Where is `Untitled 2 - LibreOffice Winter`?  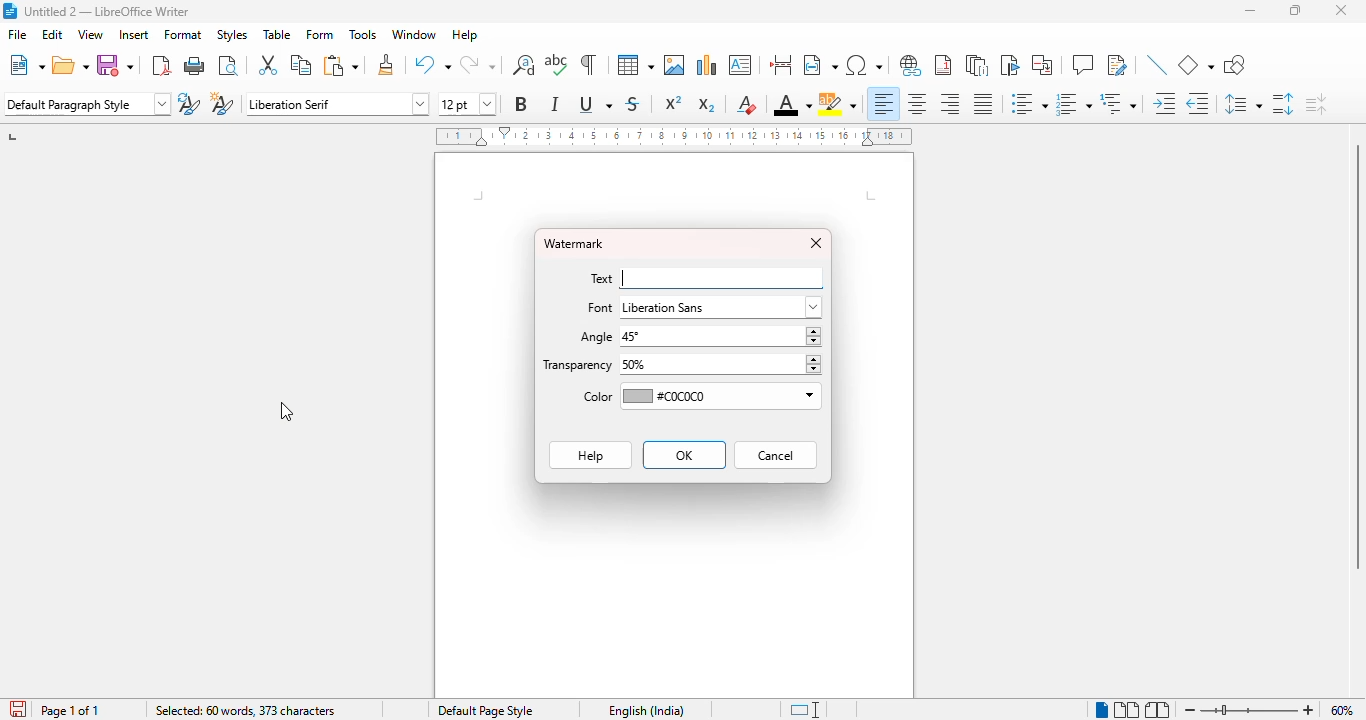
Untitled 2 - LibreOffice Winter is located at coordinates (107, 10).